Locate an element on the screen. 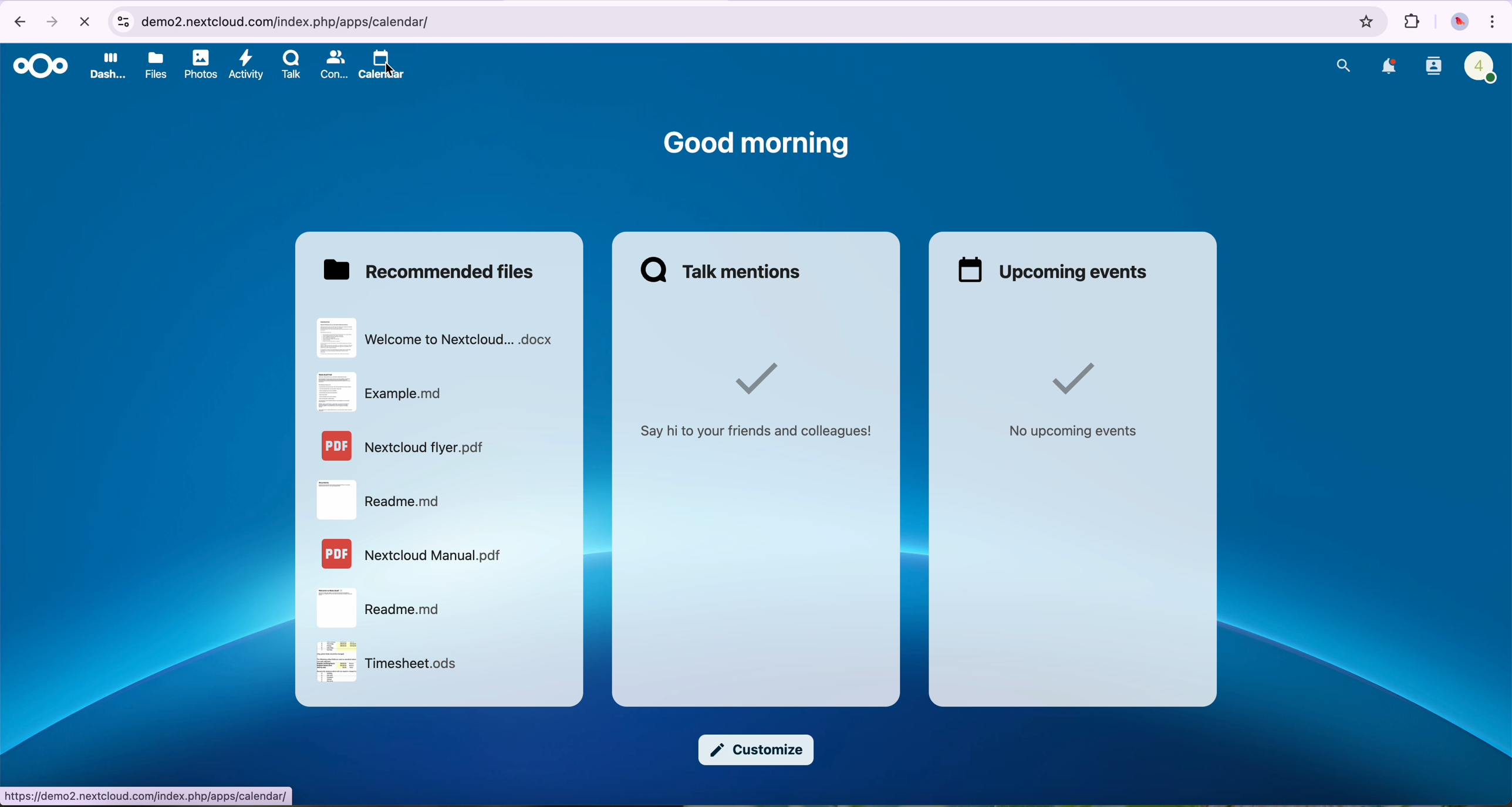 The width and height of the screenshot is (1512, 807). search is located at coordinates (1345, 65).